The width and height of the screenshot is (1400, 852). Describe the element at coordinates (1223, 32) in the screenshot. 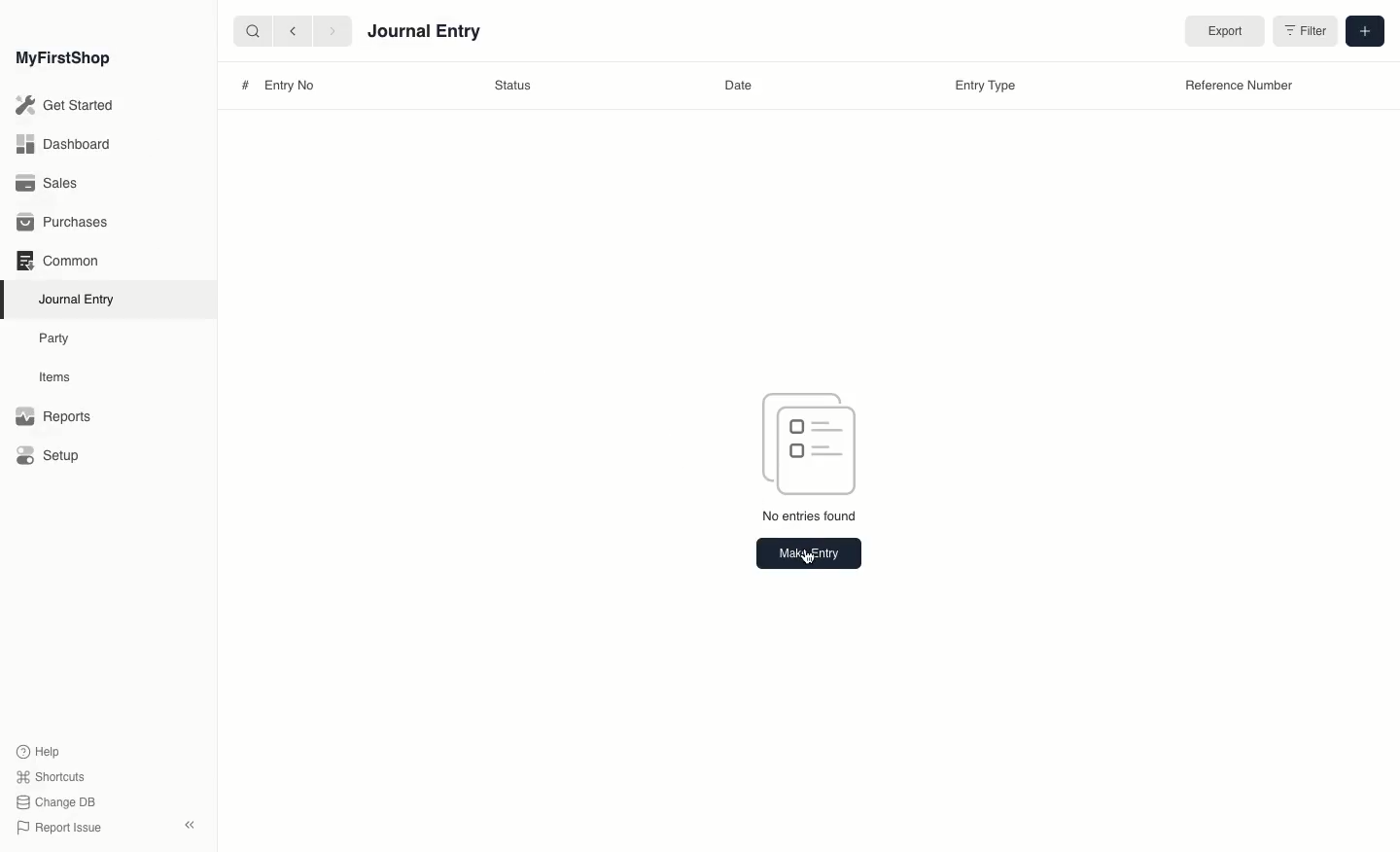

I see `Export` at that location.